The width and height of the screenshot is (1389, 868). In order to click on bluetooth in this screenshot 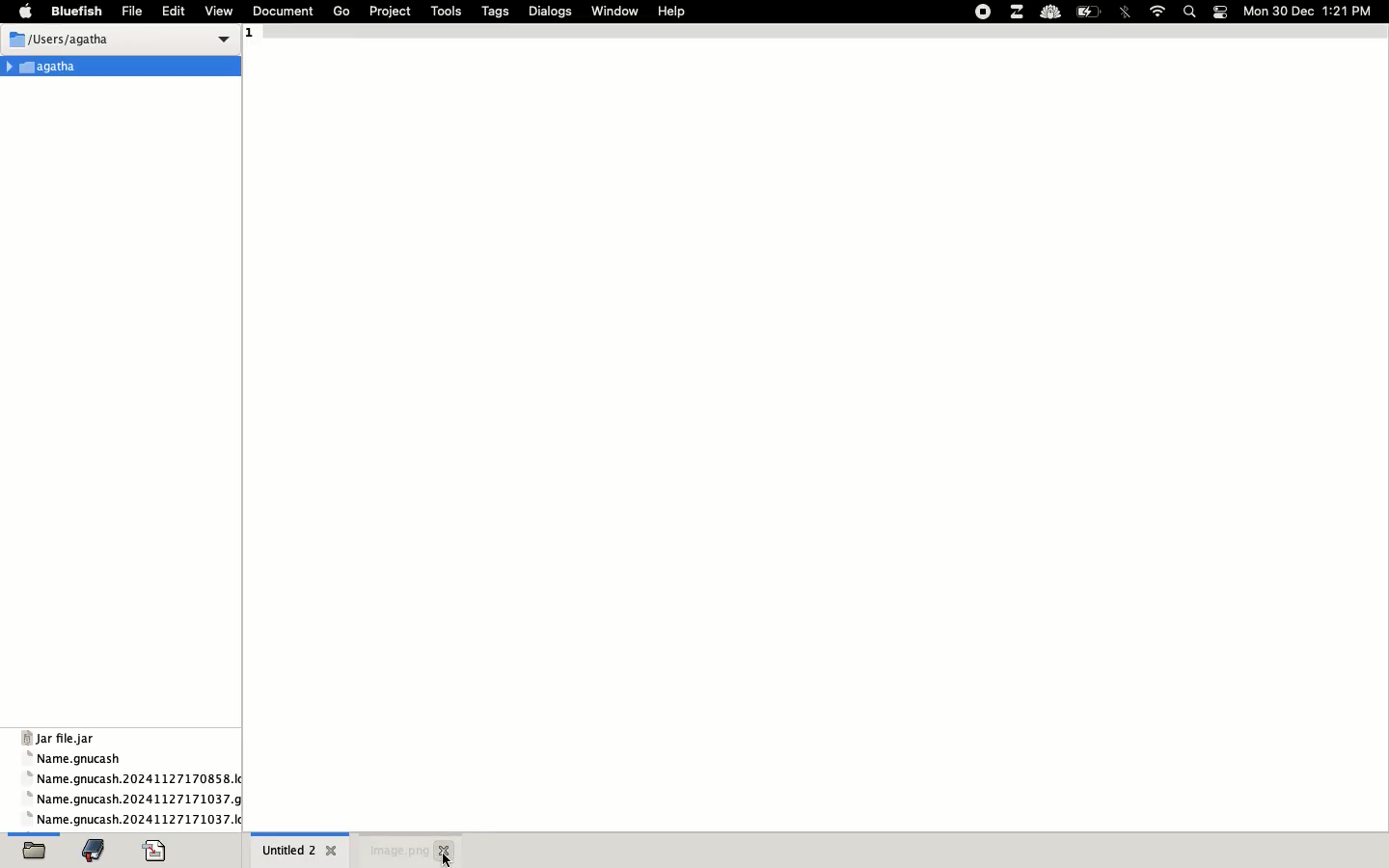, I will do `click(1127, 12)`.